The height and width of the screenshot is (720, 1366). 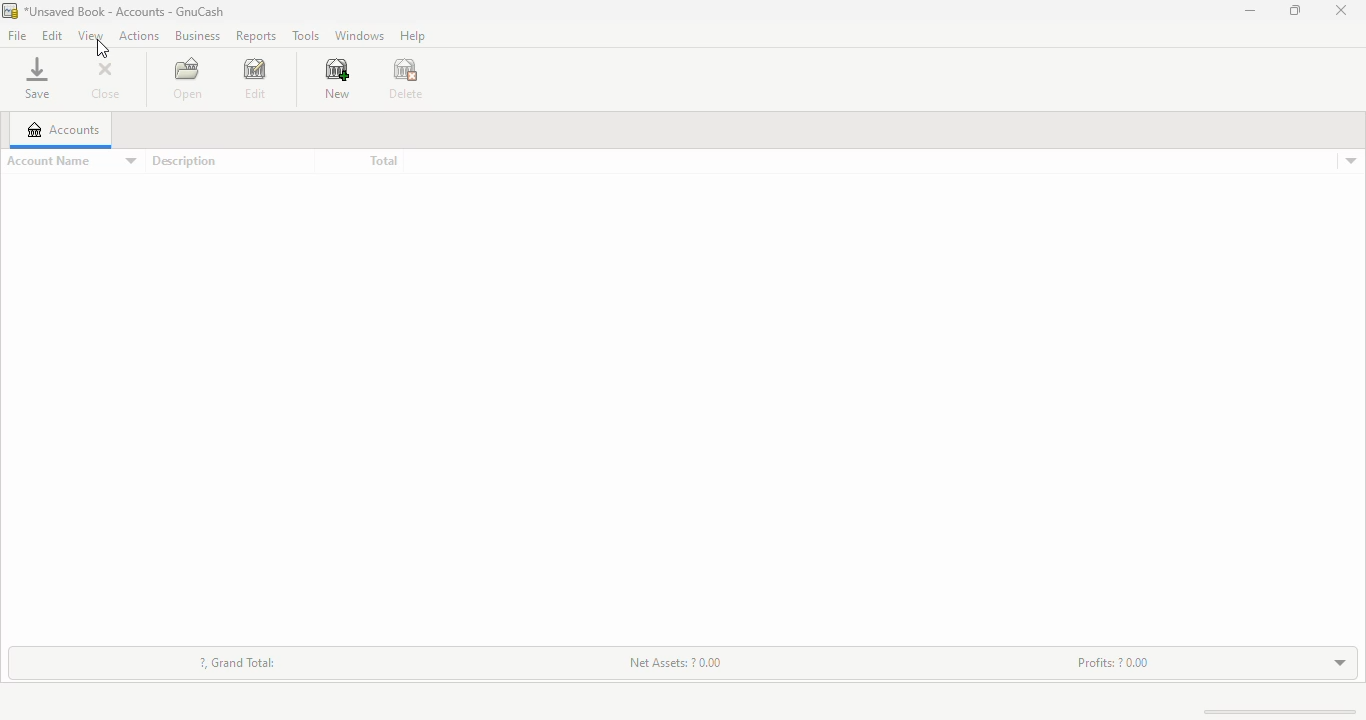 What do you see at coordinates (90, 35) in the screenshot?
I see `view` at bounding box center [90, 35].